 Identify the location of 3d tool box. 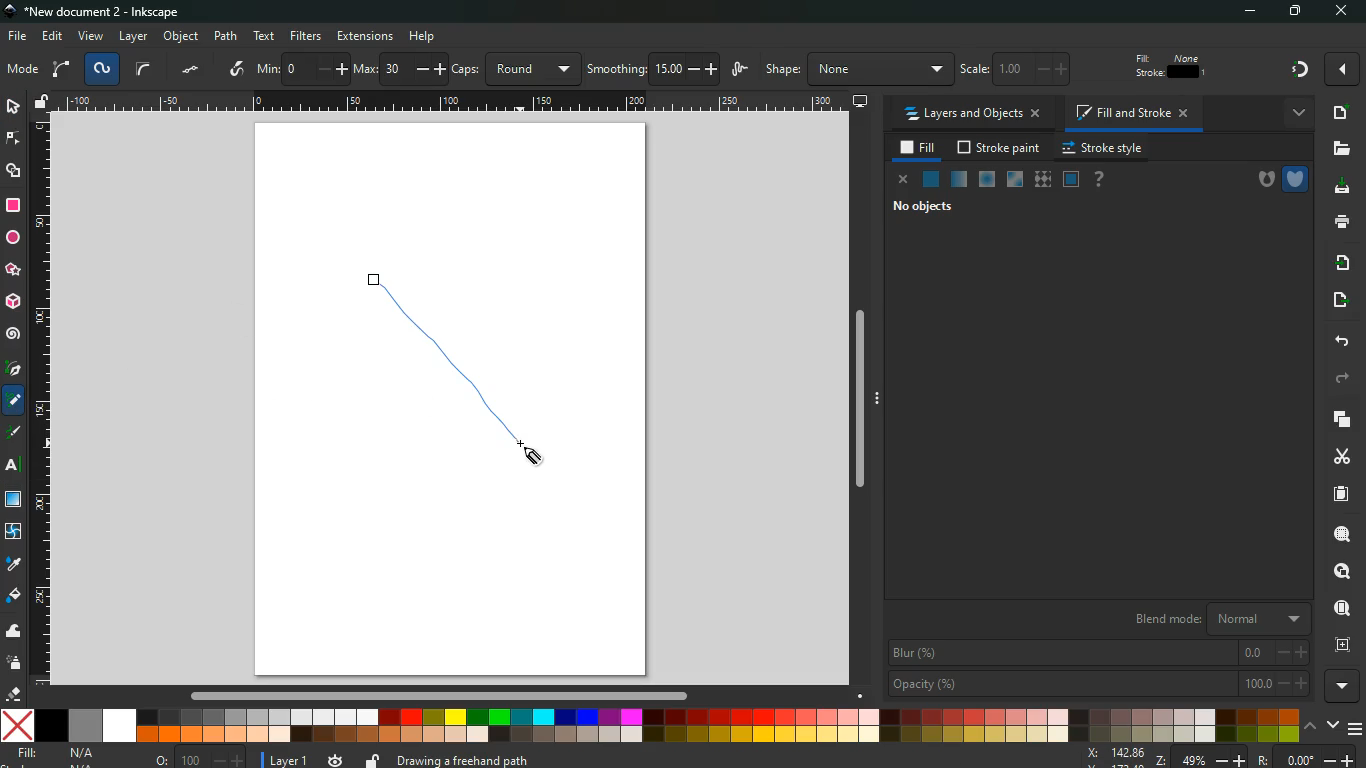
(12, 300).